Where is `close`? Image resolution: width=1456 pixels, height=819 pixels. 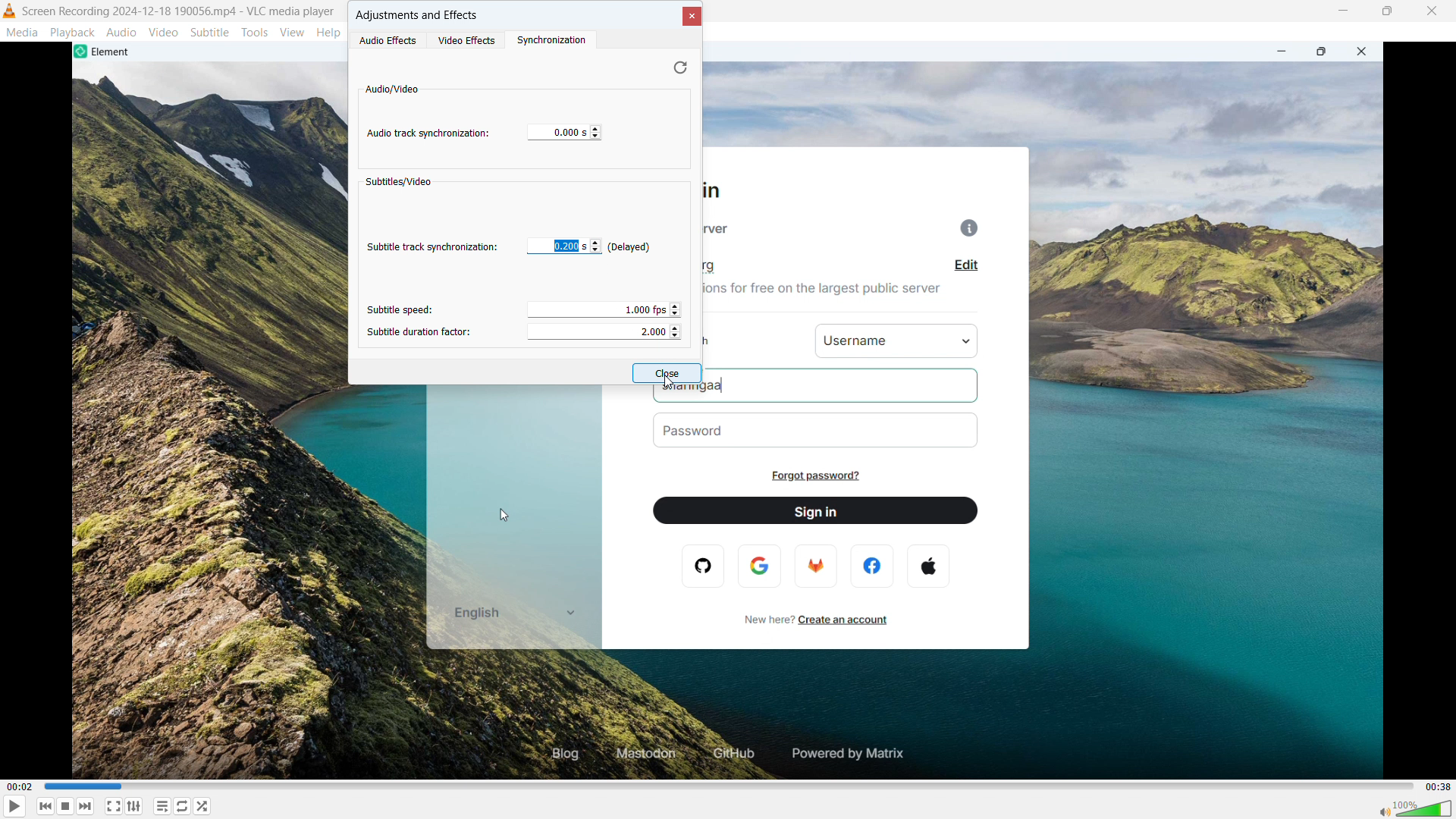
close is located at coordinates (666, 372).